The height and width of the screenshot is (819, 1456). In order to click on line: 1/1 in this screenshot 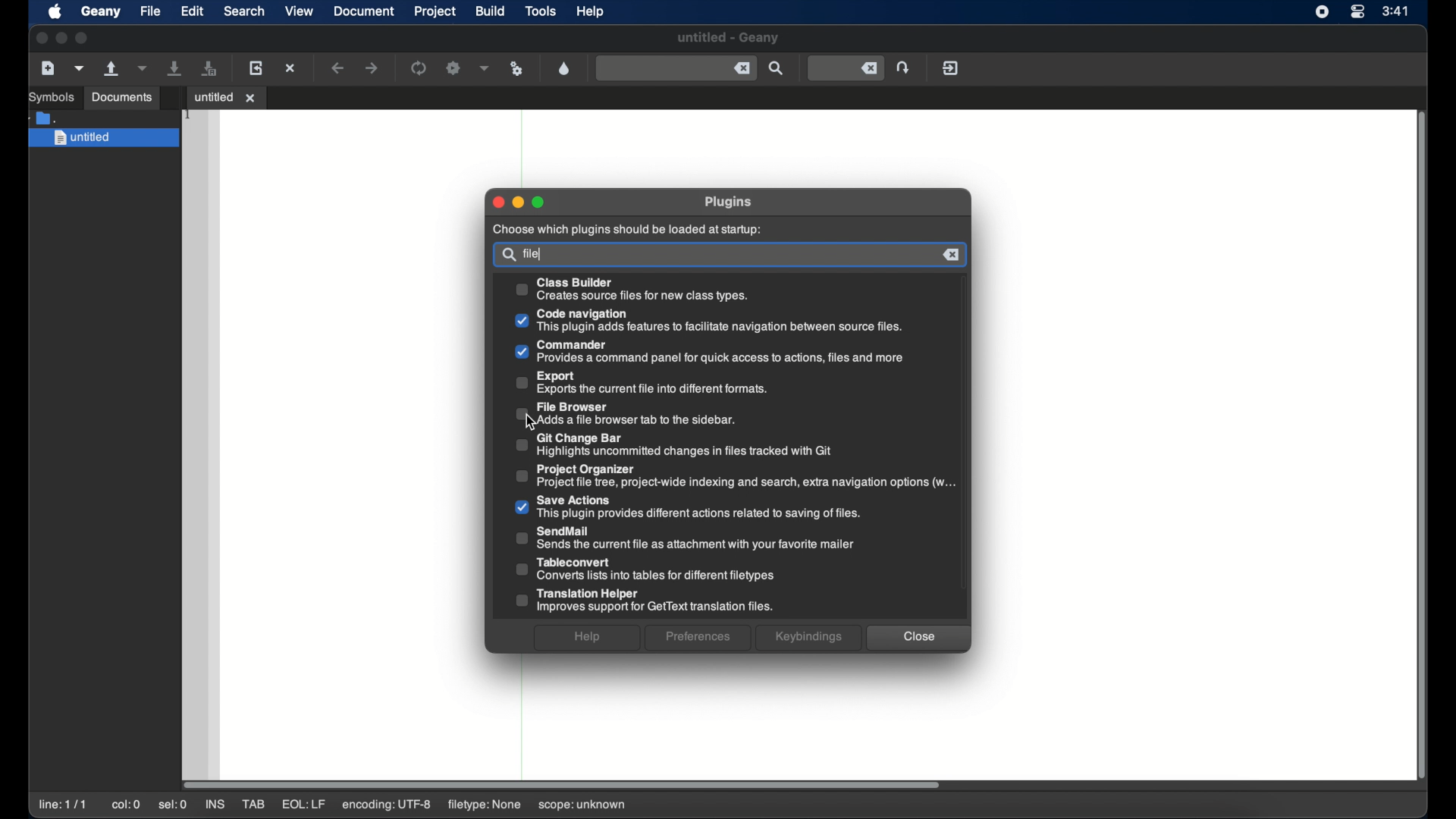, I will do `click(63, 805)`.